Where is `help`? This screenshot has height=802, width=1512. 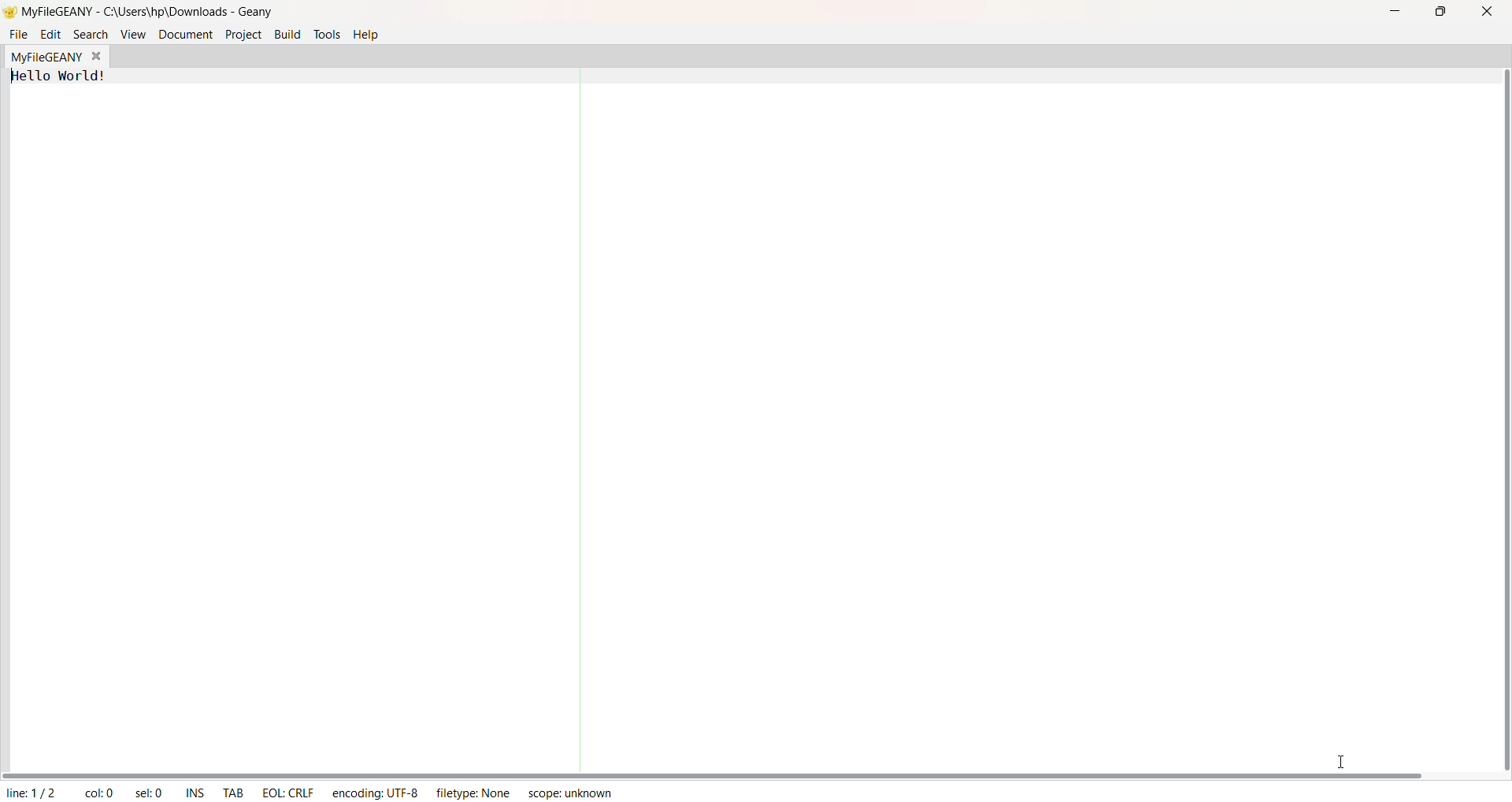
help is located at coordinates (370, 35).